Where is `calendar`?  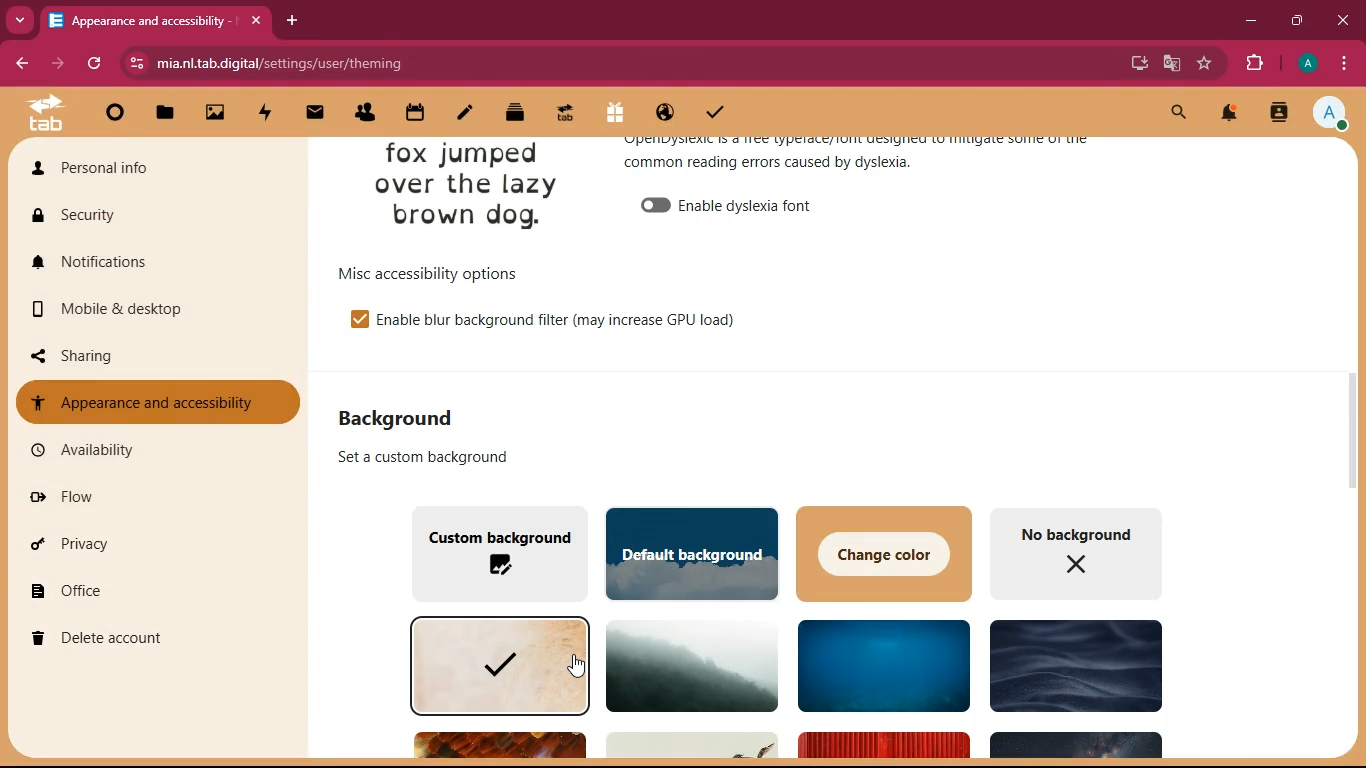
calendar is located at coordinates (417, 114).